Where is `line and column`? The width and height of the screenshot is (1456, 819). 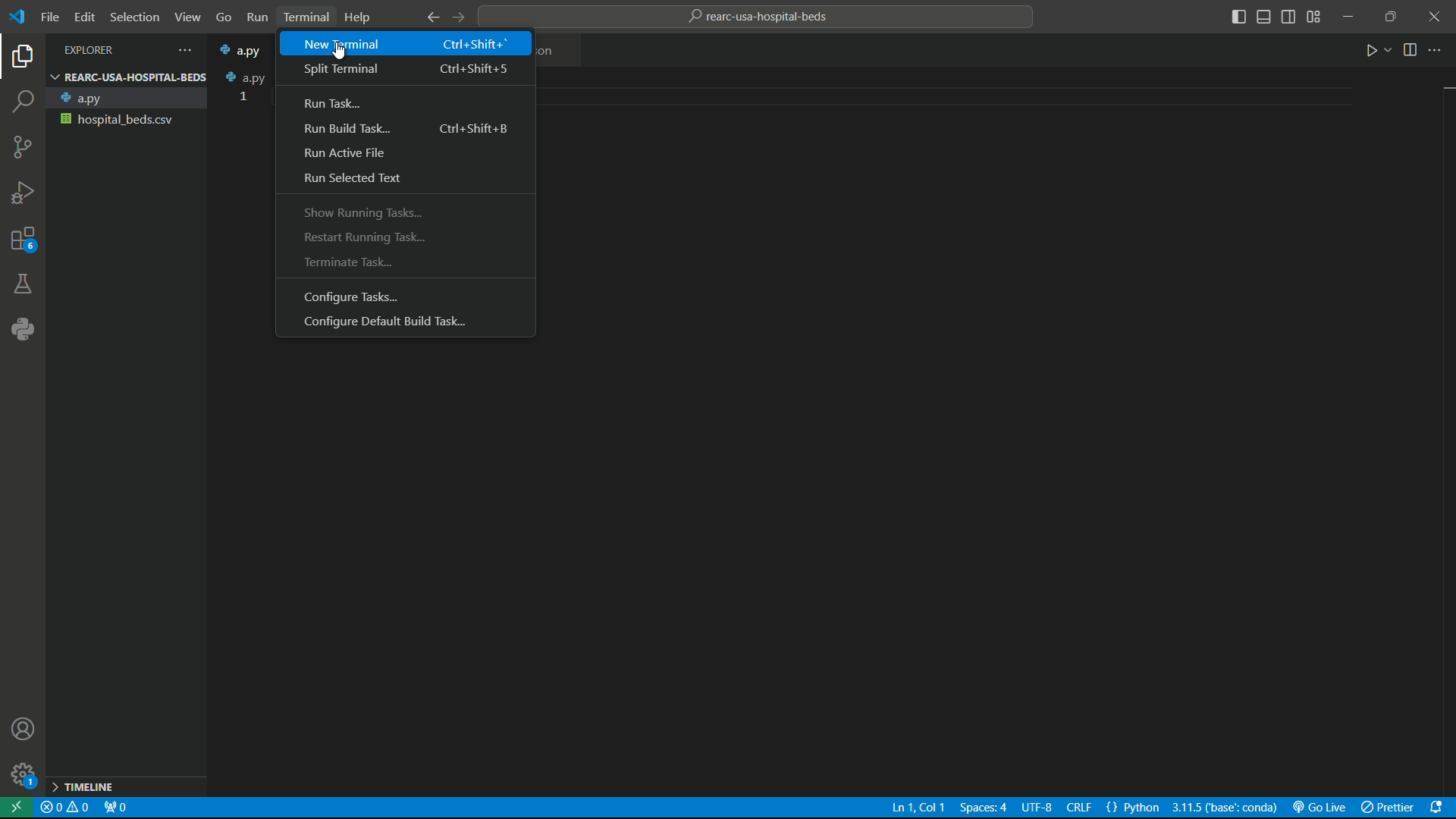
line and column is located at coordinates (913, 809).